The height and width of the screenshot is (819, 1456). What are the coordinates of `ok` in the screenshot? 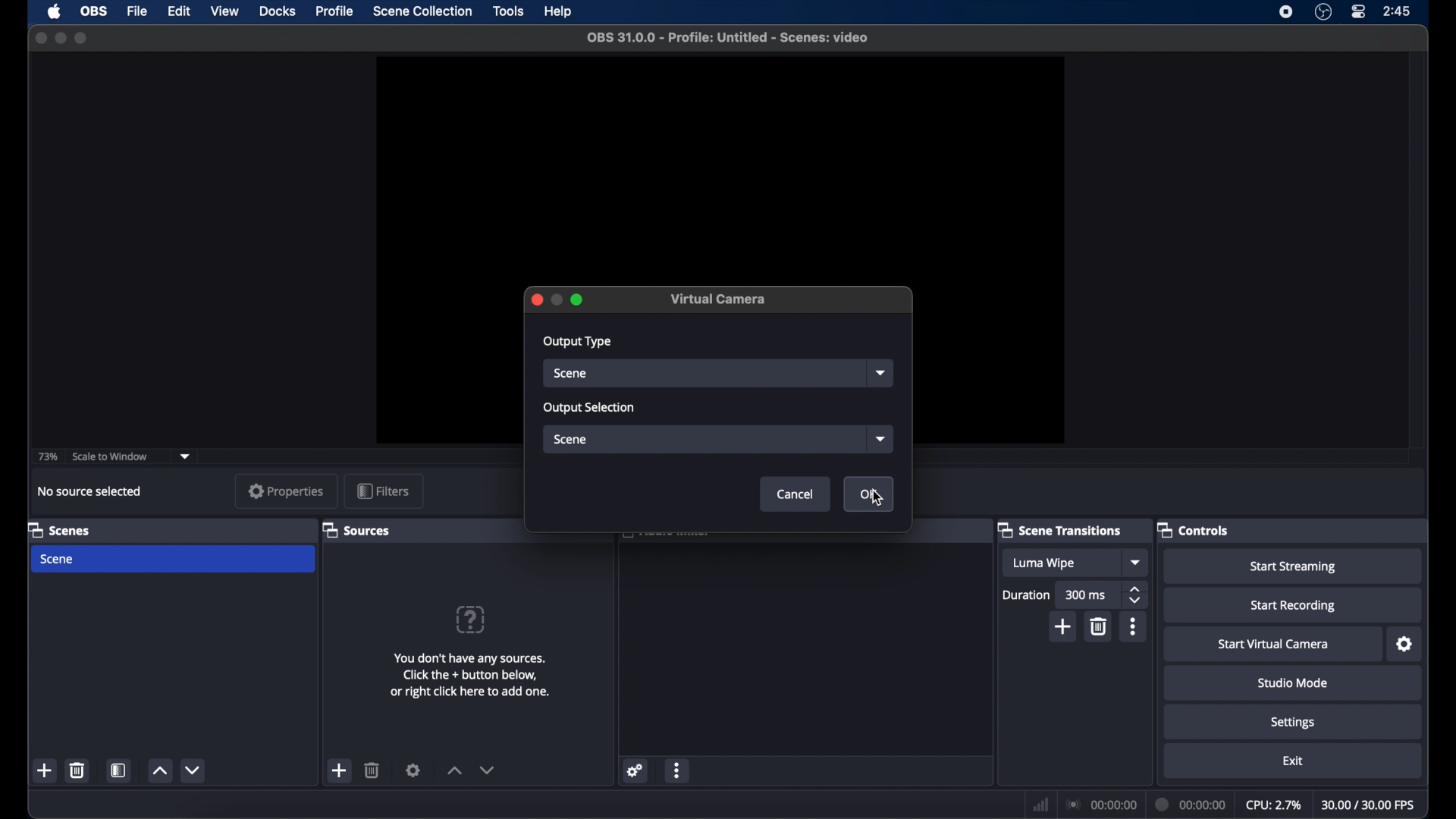 It's located at (868, 494).